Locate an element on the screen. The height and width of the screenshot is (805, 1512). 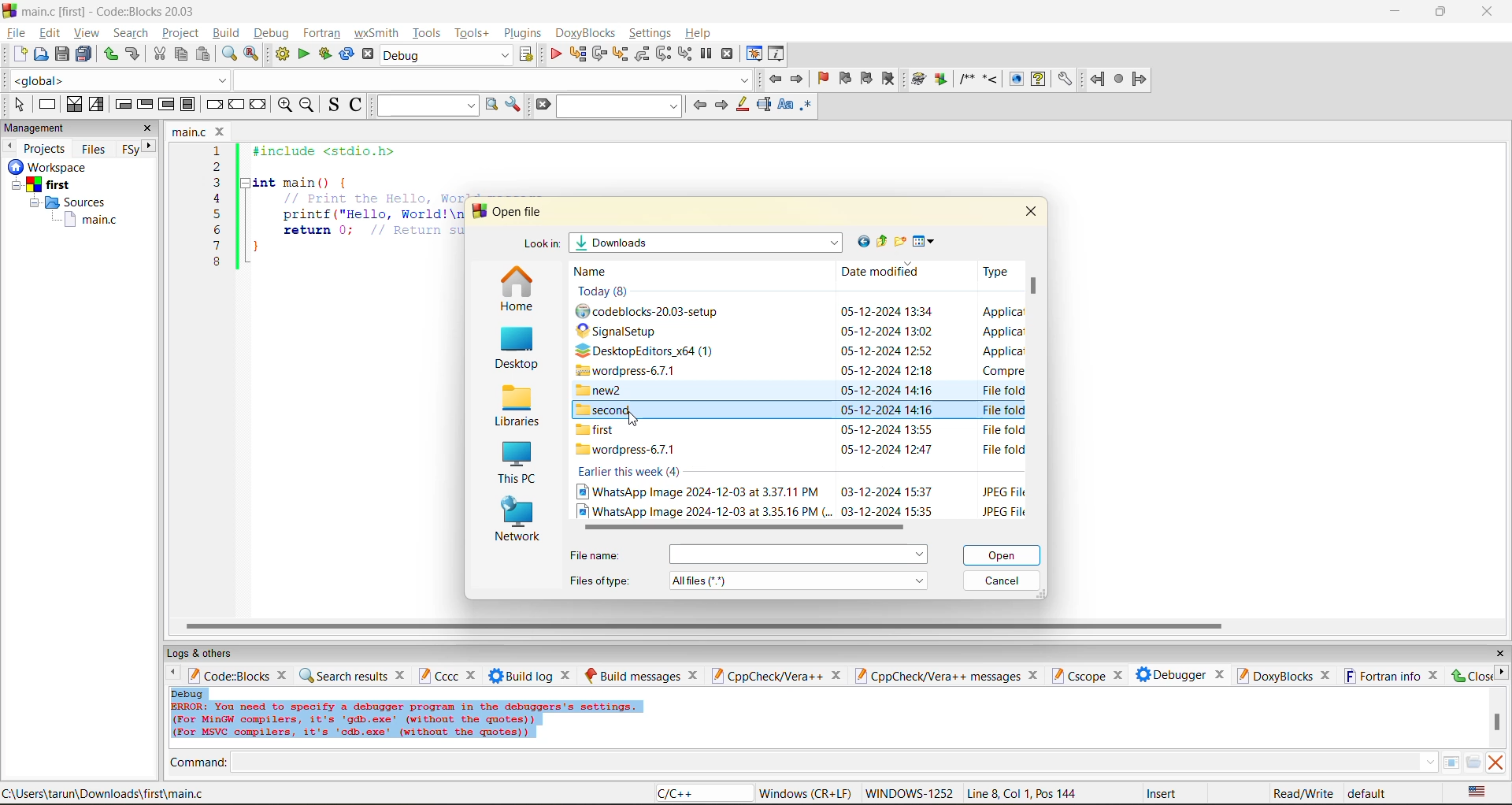
up one level is located at coordinates (881, 242).